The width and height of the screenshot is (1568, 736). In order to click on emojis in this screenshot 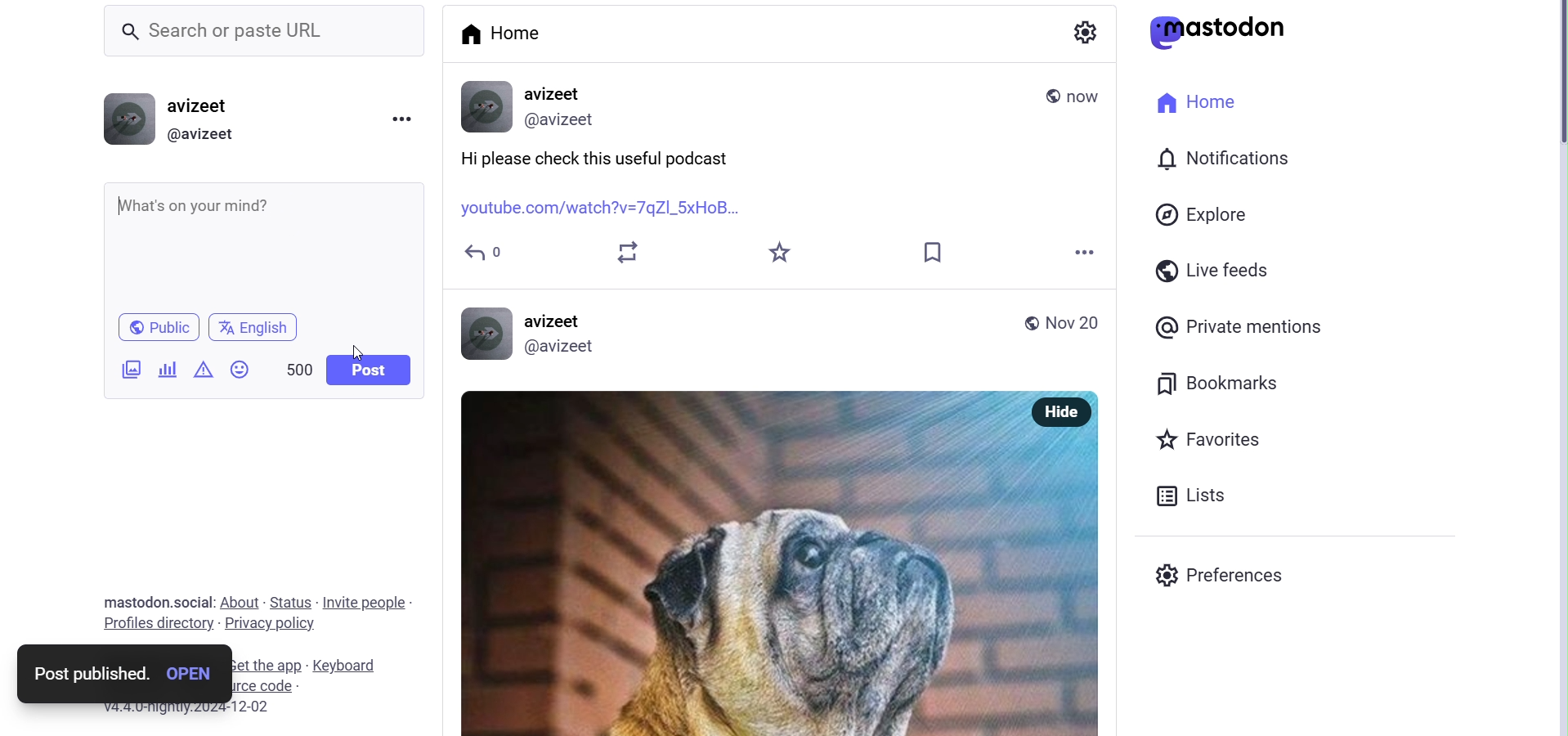, I will do `click(242, 369)`.